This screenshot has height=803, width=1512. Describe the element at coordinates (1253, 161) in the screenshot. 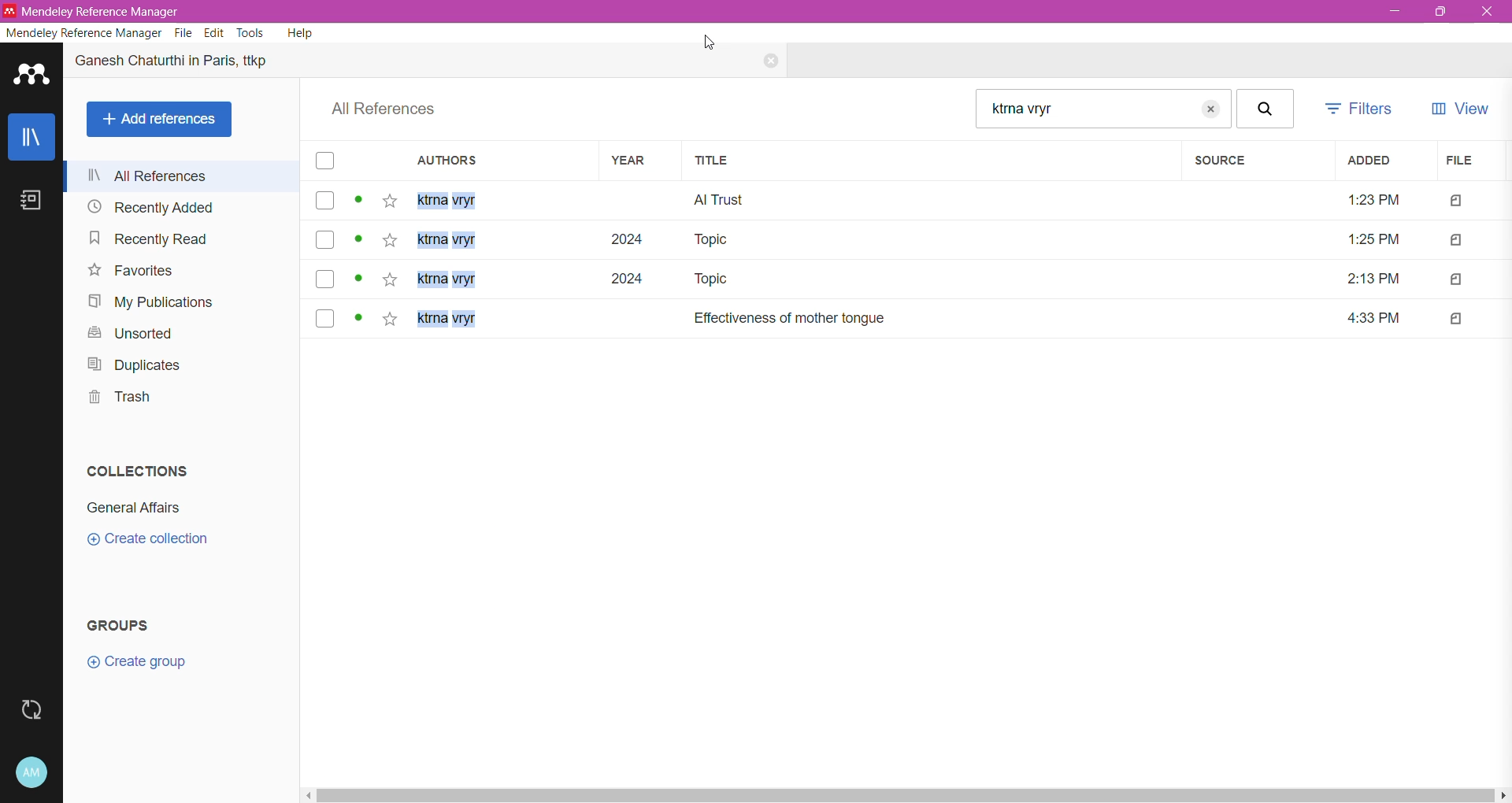

I see `Source` at that location.